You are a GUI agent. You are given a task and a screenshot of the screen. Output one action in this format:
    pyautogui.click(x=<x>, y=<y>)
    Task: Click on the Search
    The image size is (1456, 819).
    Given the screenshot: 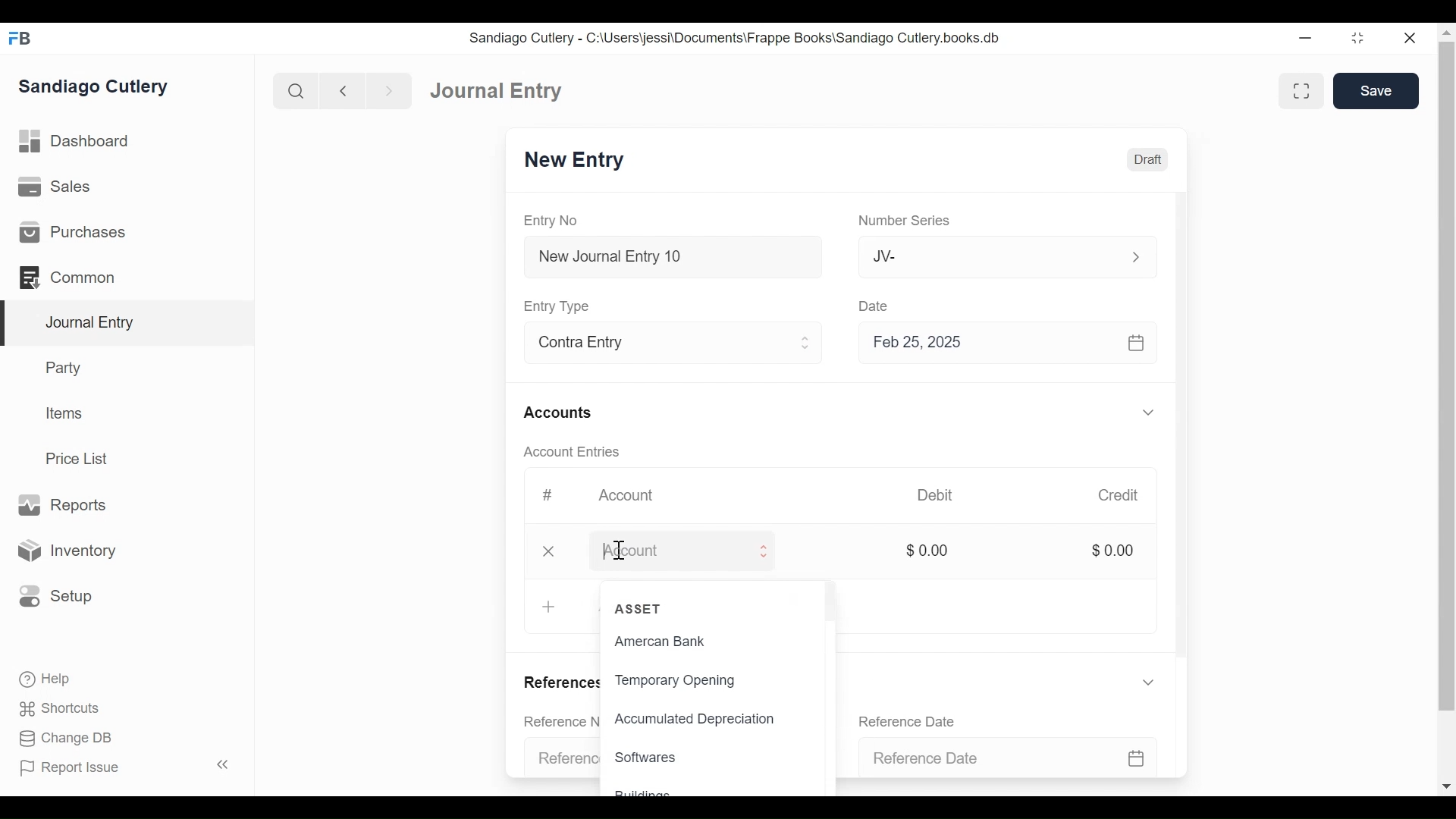 What is the action you would take?
    pyautogui.click(x=297, y=90)
    